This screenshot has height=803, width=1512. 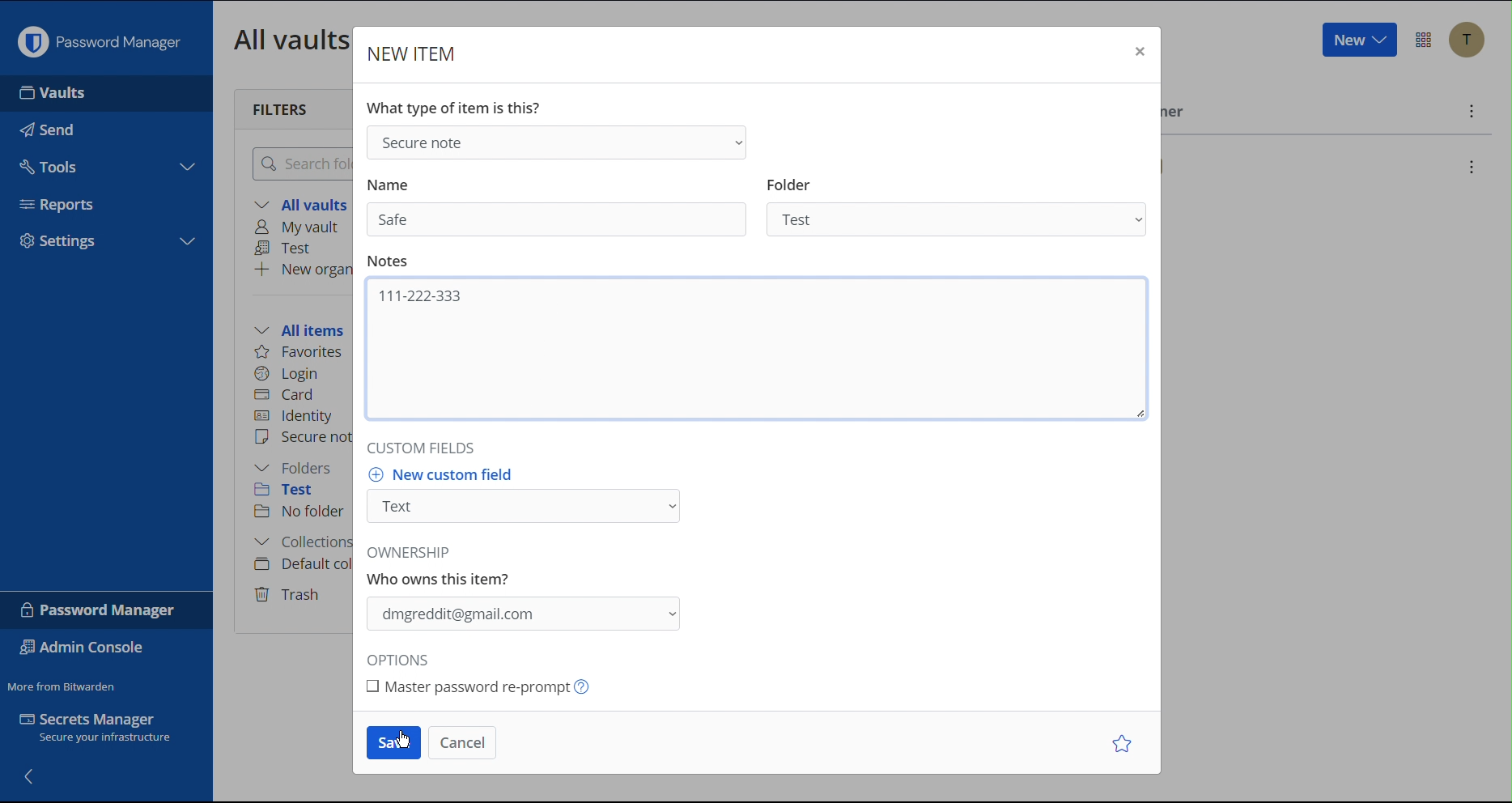 I want to click on Login, so click(x=287, y=372).